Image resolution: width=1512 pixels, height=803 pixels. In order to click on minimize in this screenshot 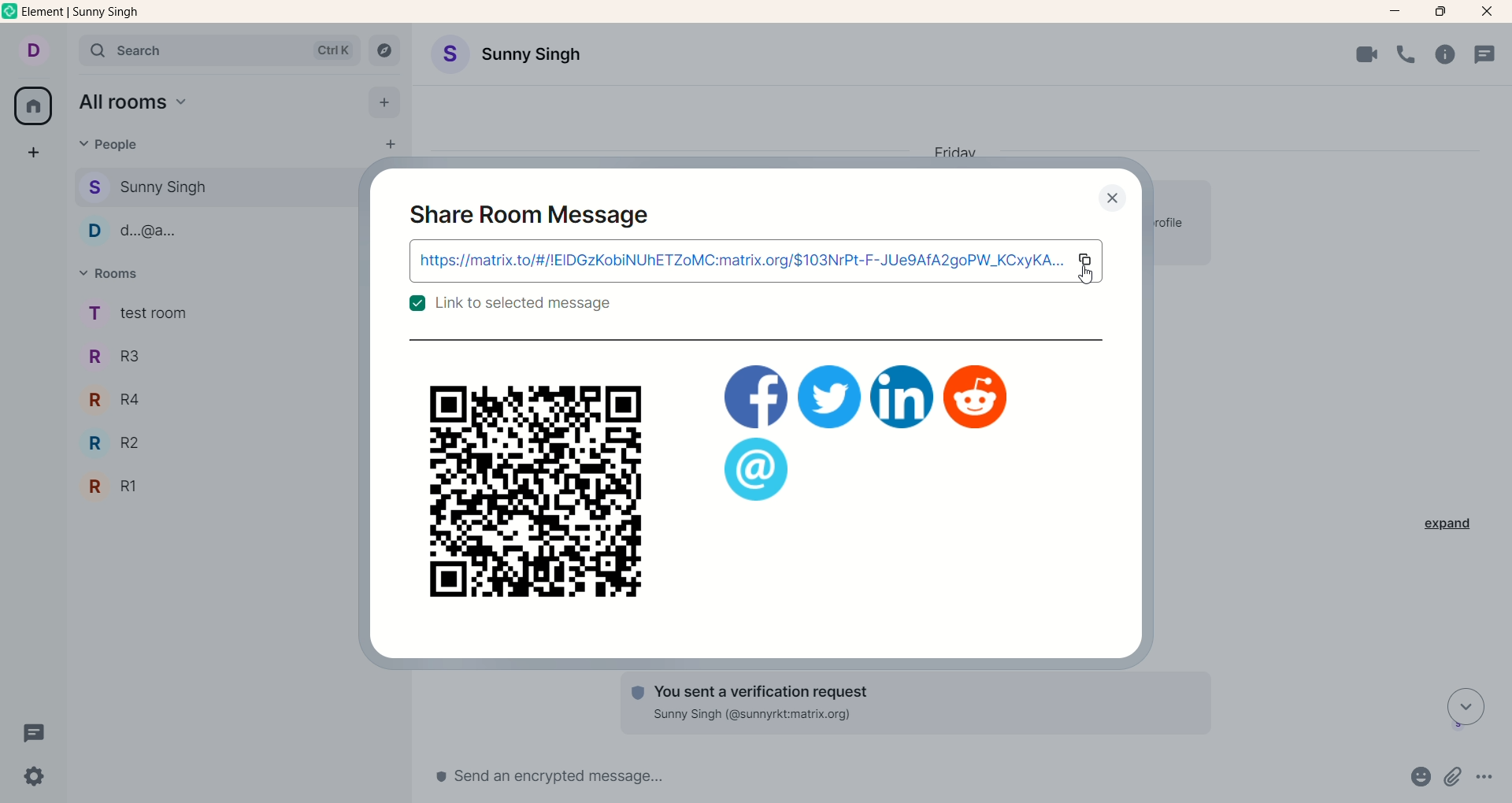, I will do `click(1397, 9)`.